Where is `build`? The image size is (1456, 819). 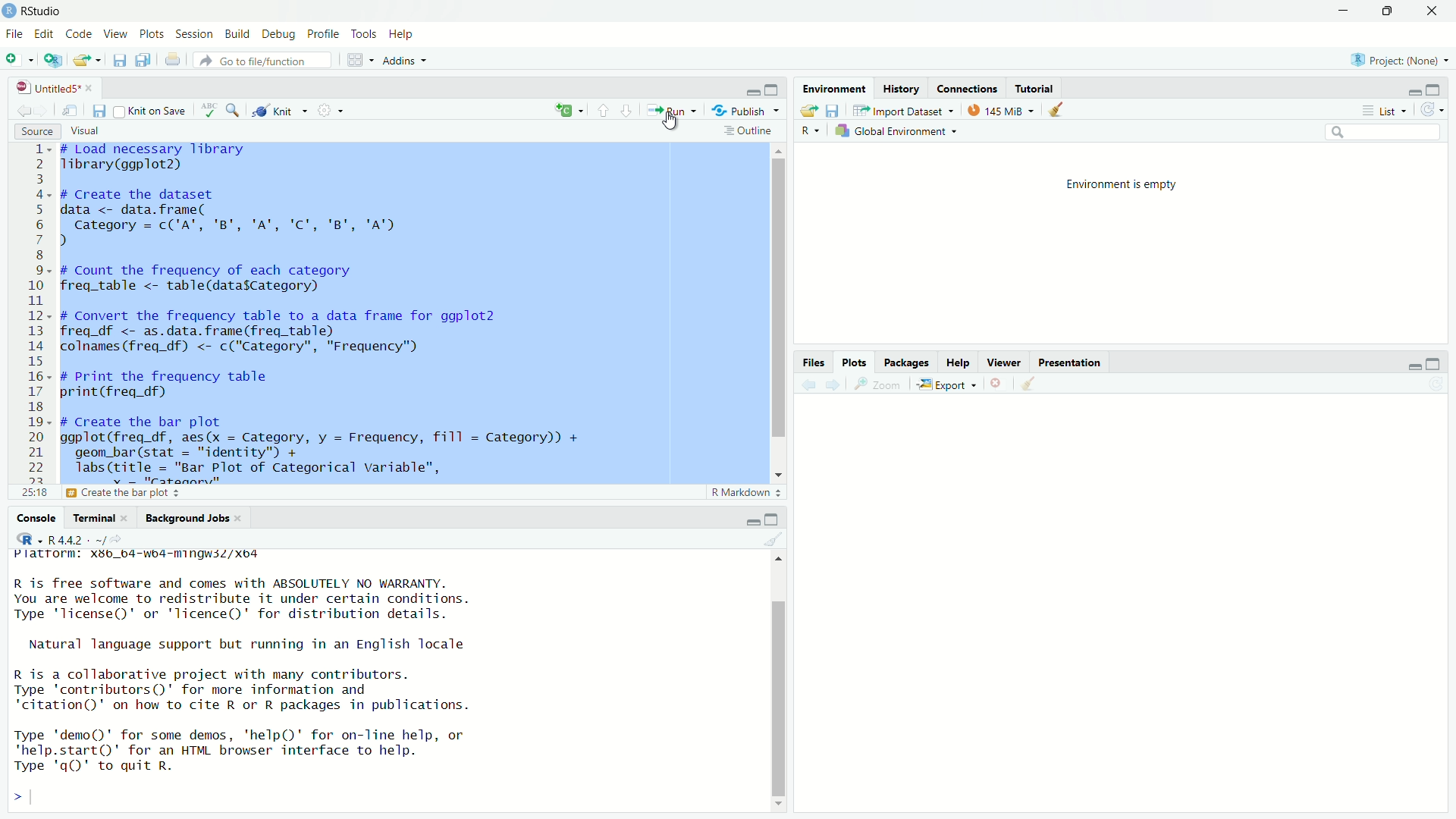 build is located at coordinates (235, 35).